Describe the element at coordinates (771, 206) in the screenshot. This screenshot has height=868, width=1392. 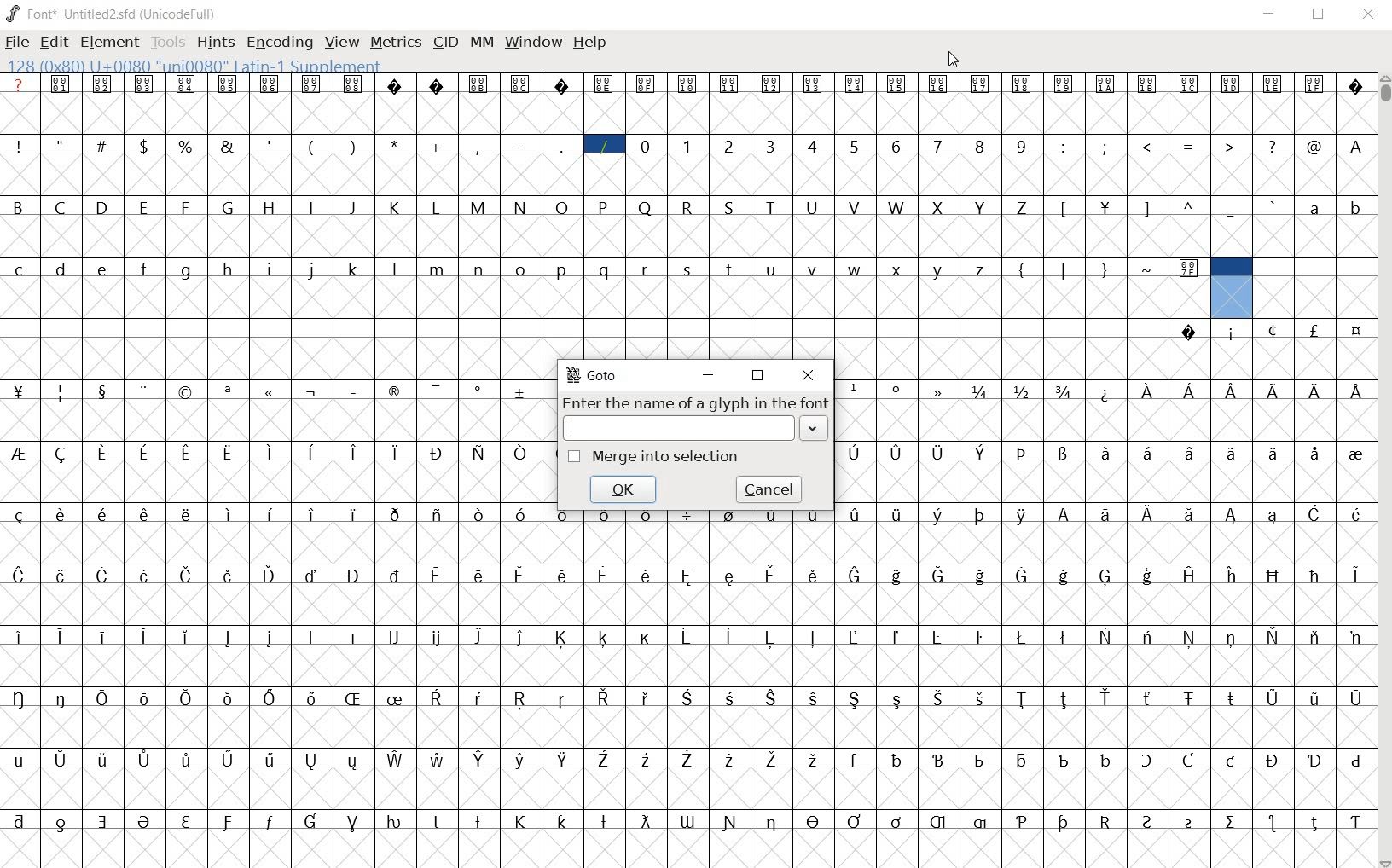
I see `T` at that location.